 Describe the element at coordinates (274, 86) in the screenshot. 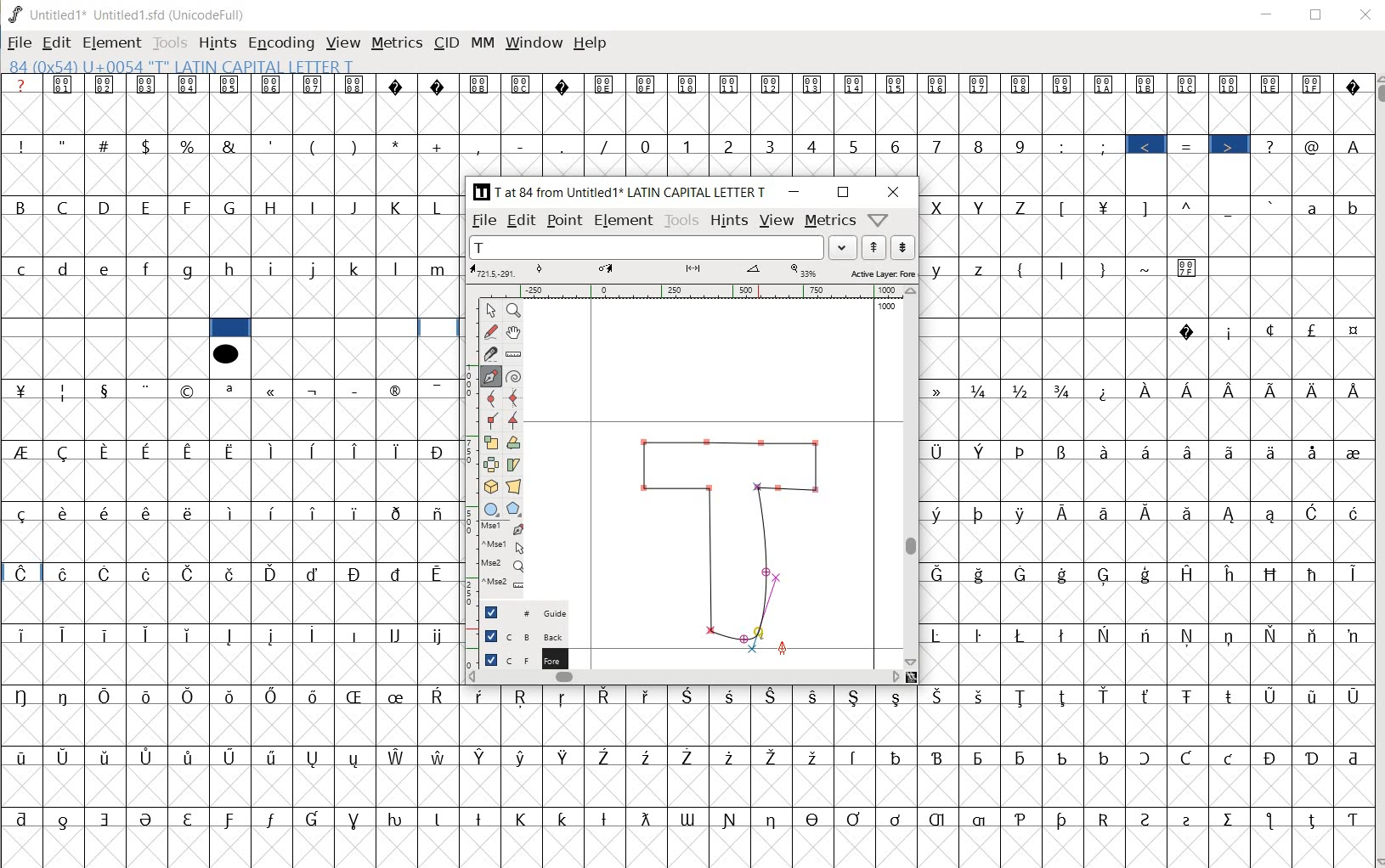

I see `Symbol` at that location.